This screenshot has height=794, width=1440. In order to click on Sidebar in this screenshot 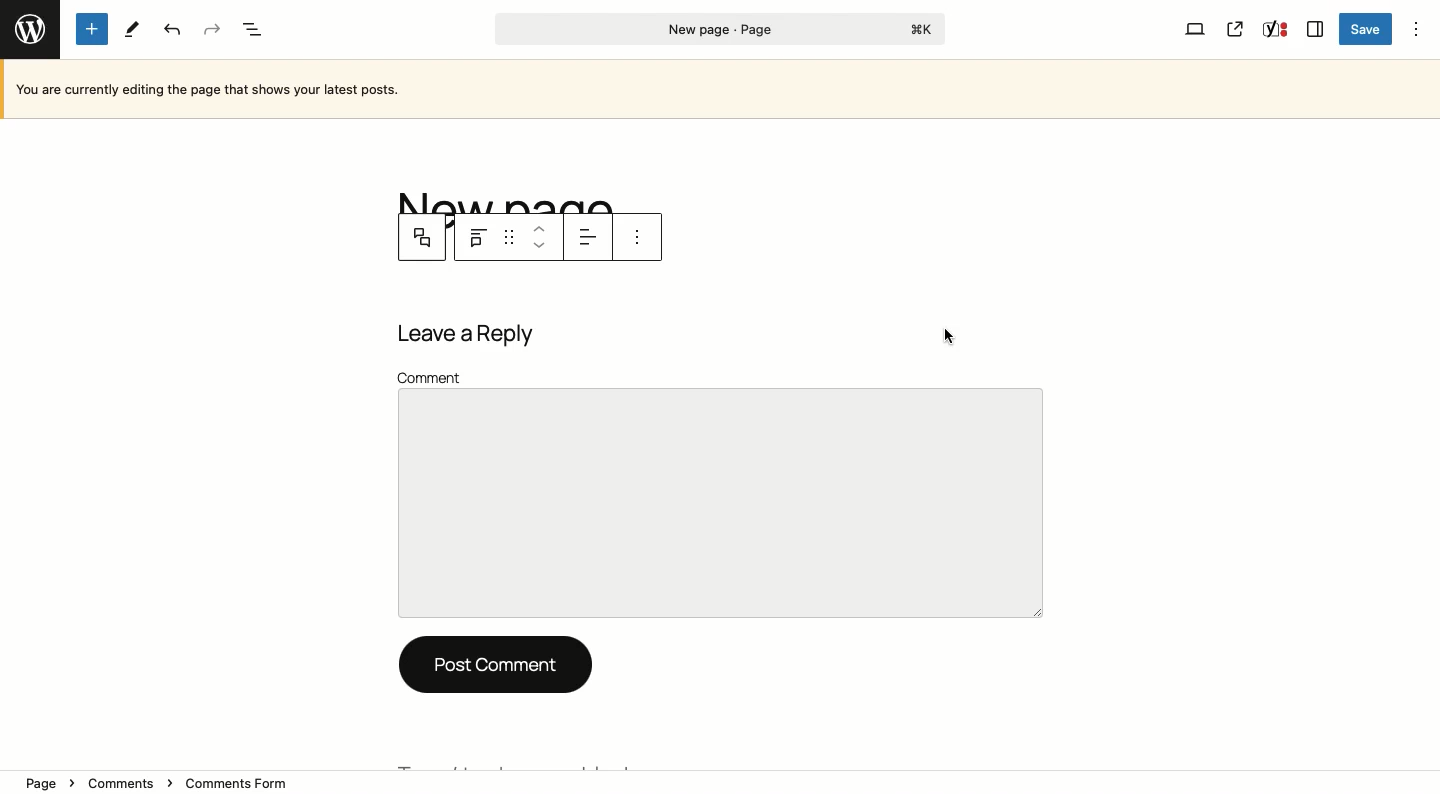, I will do `click(1318, 28)`.